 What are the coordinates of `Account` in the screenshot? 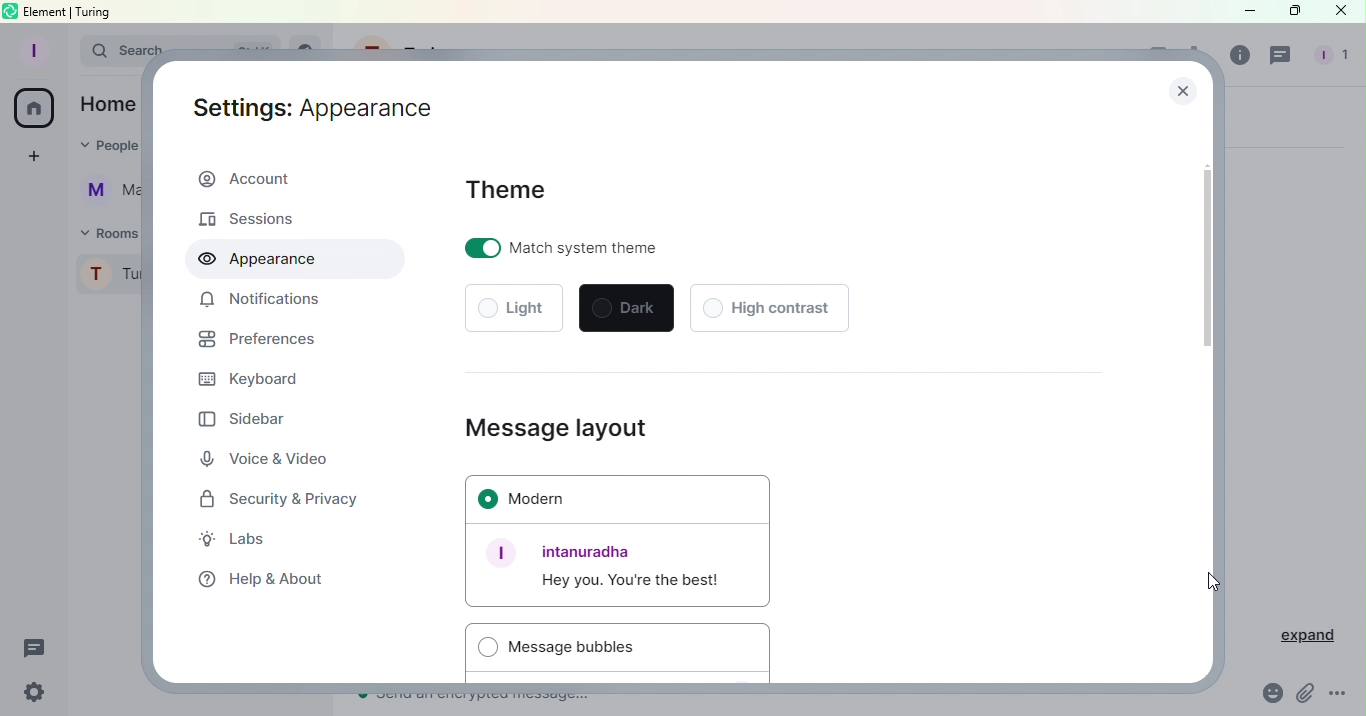 It's located at (279, 179).